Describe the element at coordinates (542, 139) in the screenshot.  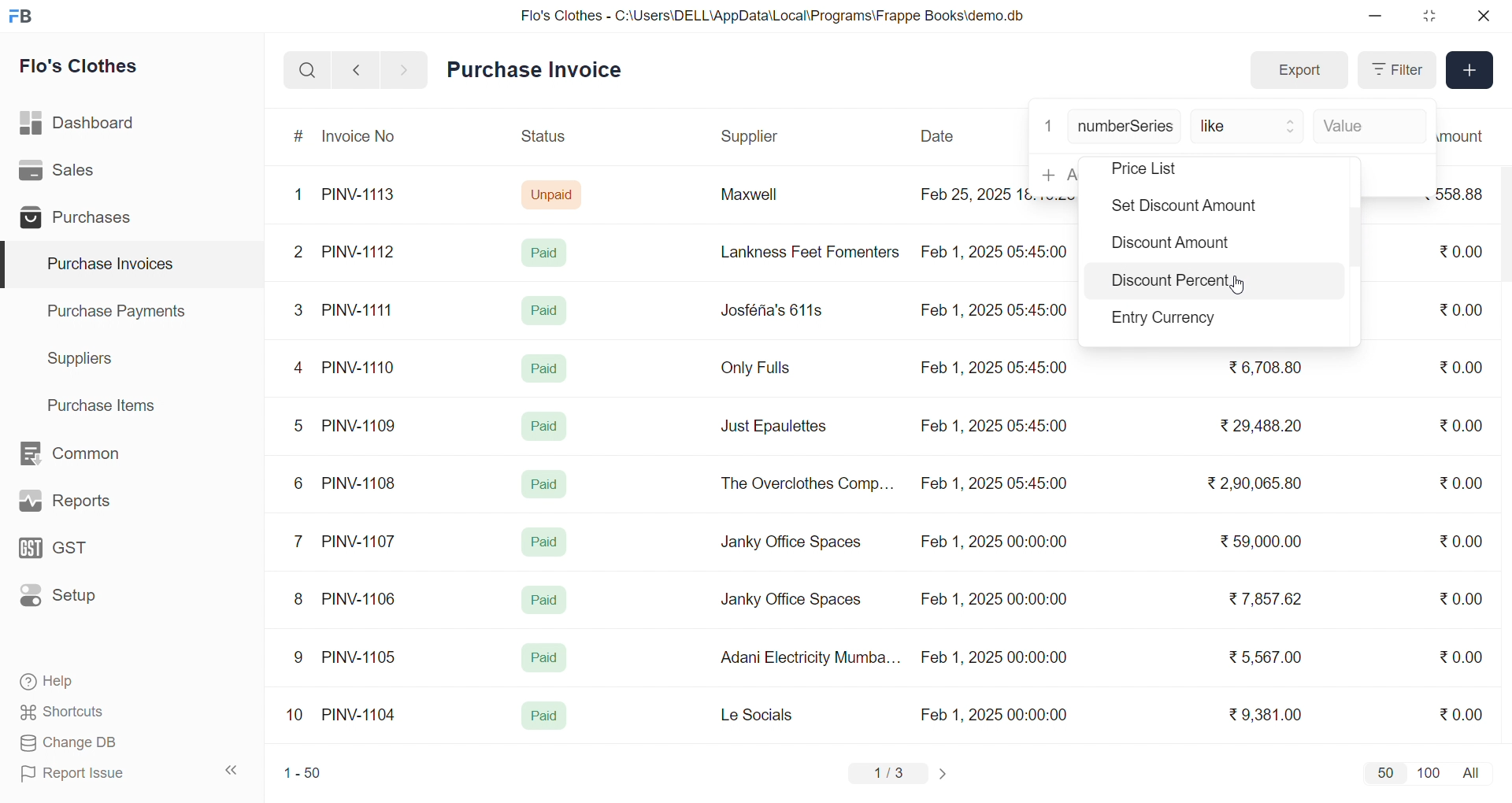
I see `Status` at that location.